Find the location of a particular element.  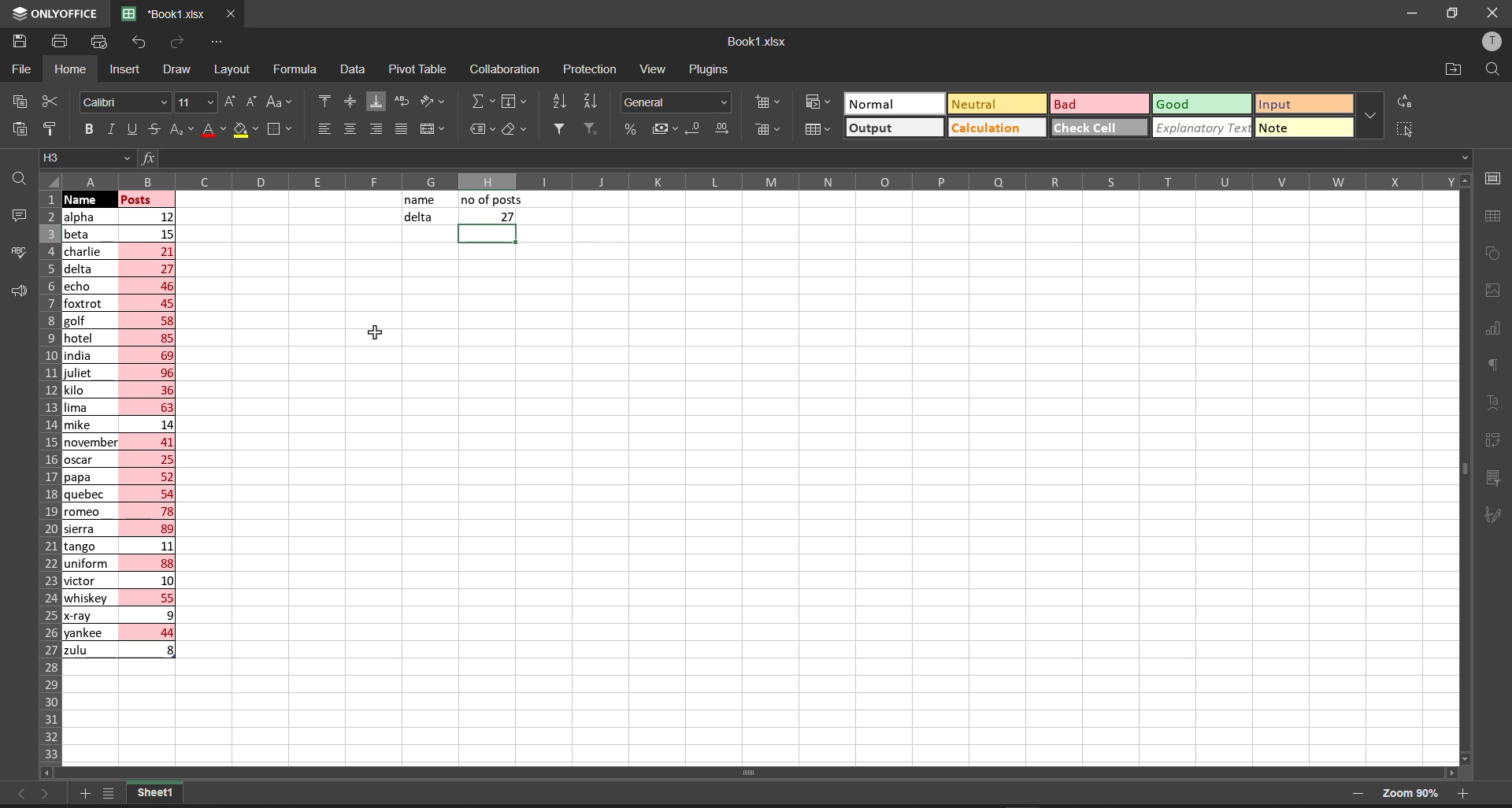

conditional formatting is located at coordinates (817, 101).